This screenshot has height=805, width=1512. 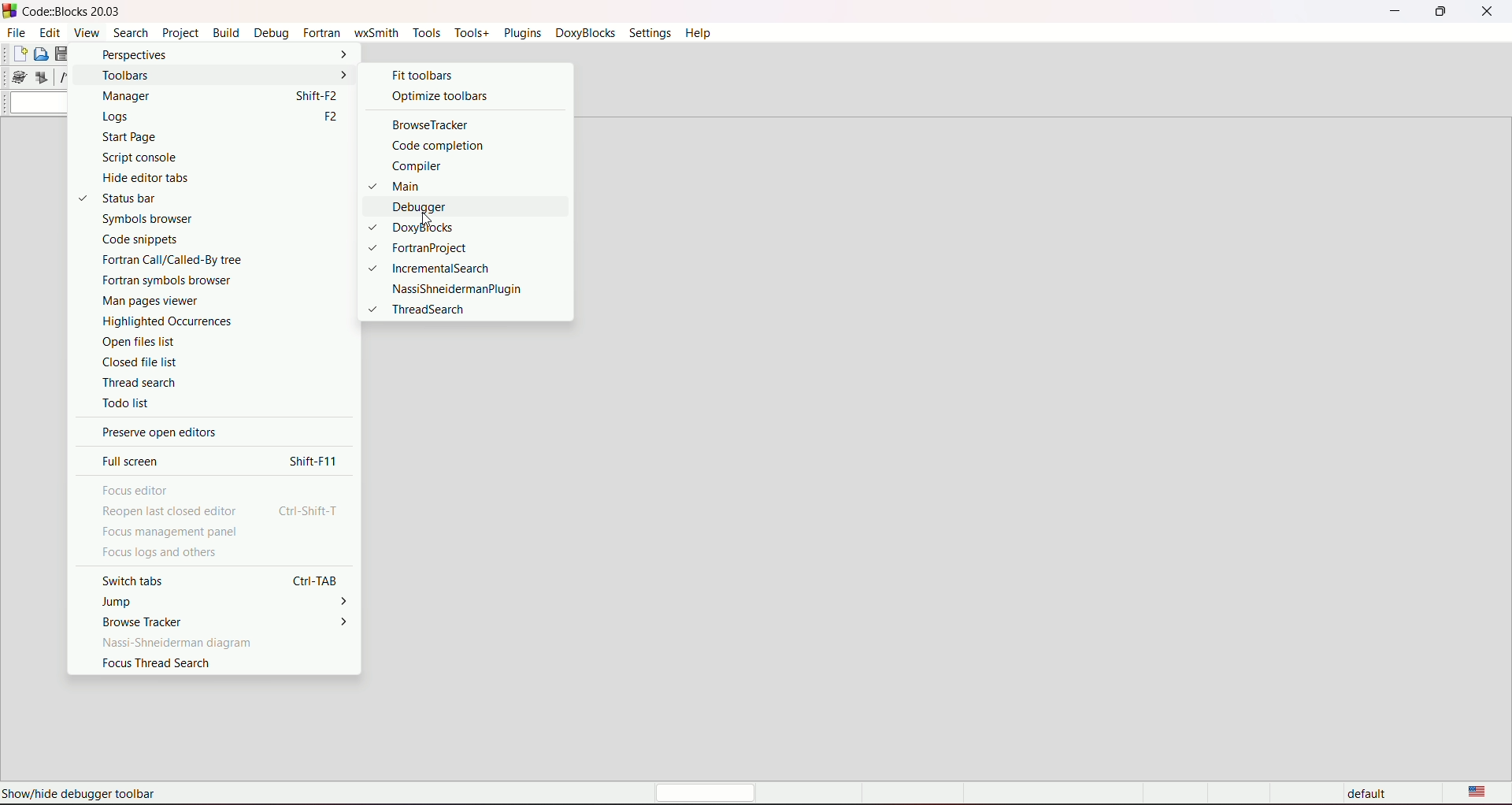 What do you see at coordinates (649, 33) in the screenshot?
I see `settings` at bounding box center [649, 33].